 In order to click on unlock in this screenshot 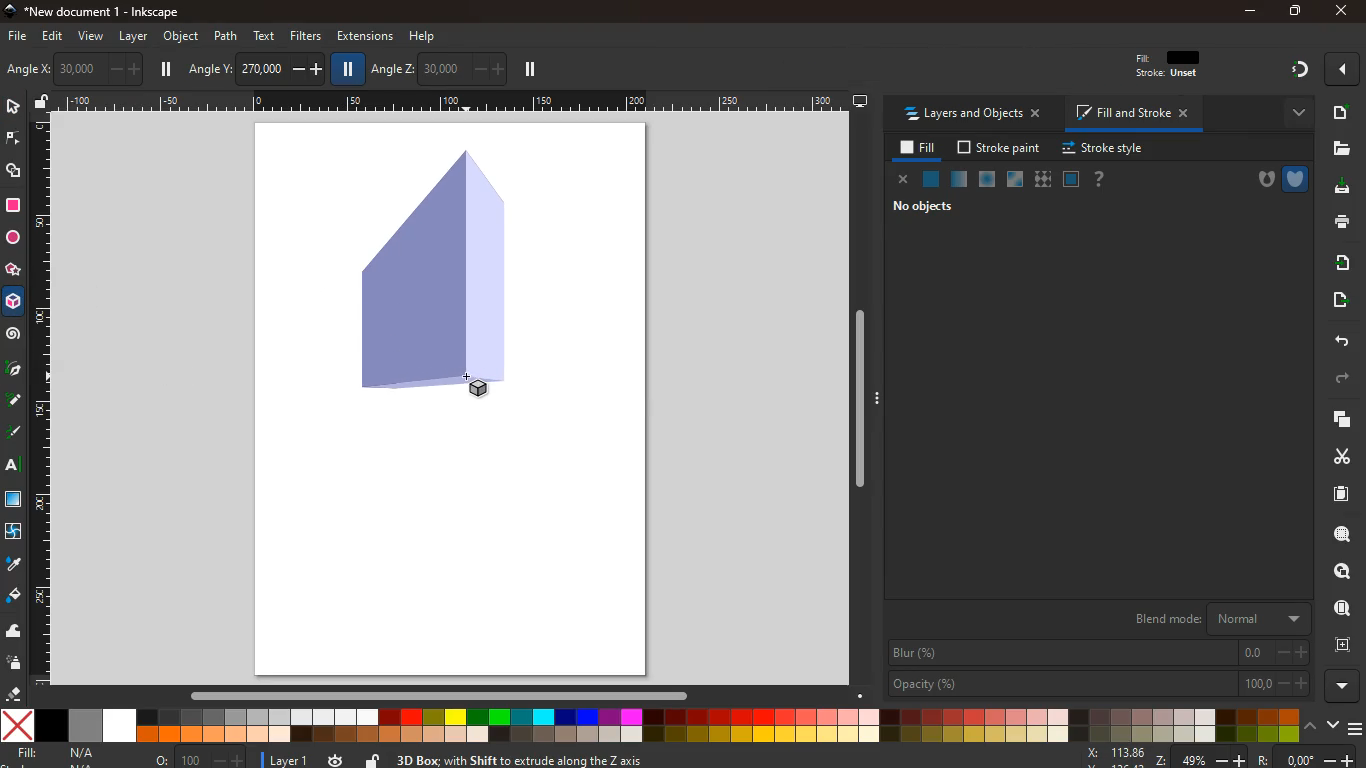, I will do `click(372, 758)`.